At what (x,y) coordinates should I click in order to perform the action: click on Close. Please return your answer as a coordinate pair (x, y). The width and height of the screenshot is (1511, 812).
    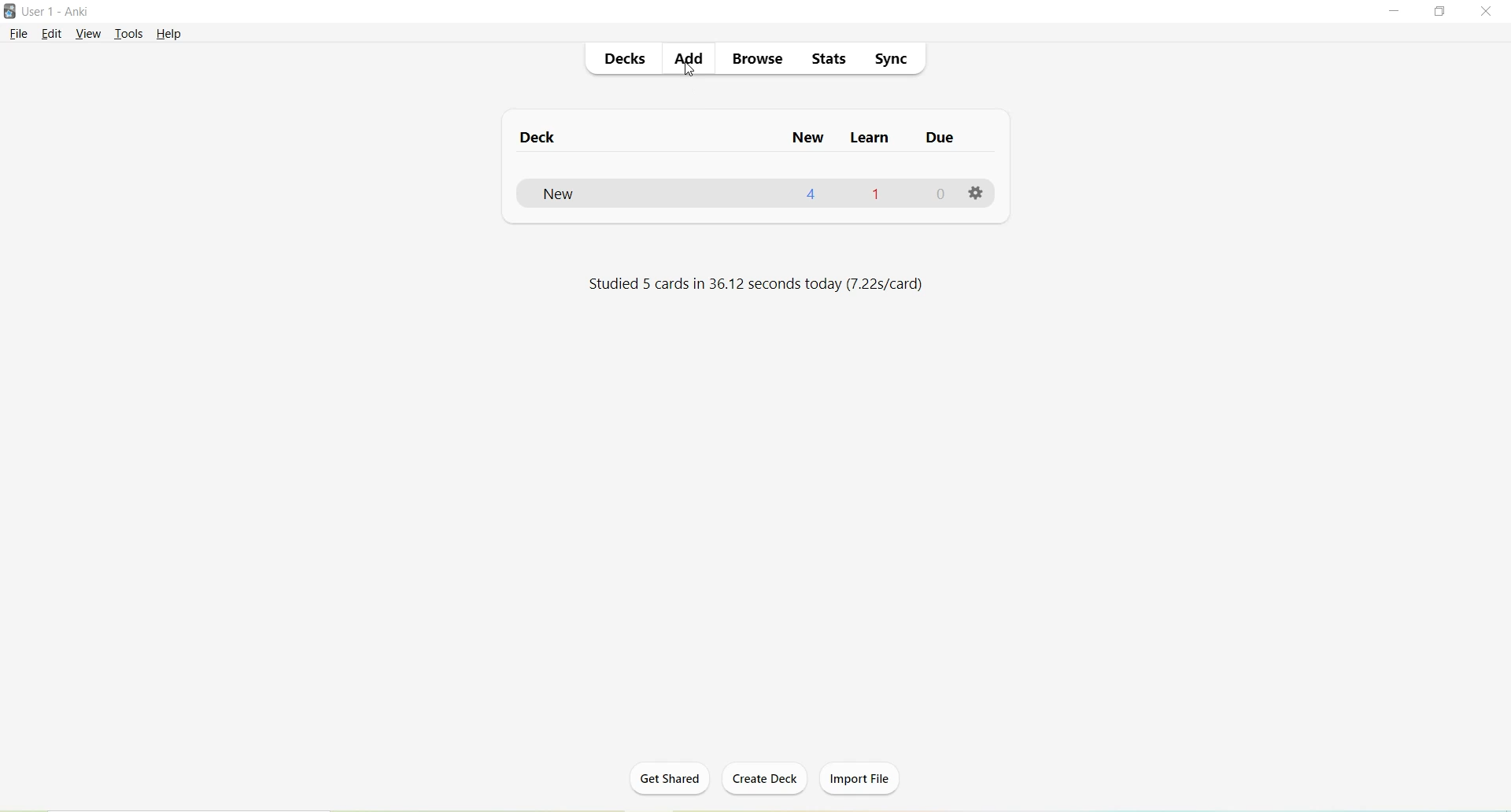
    Looking at the image, I should click on (1486, 12).